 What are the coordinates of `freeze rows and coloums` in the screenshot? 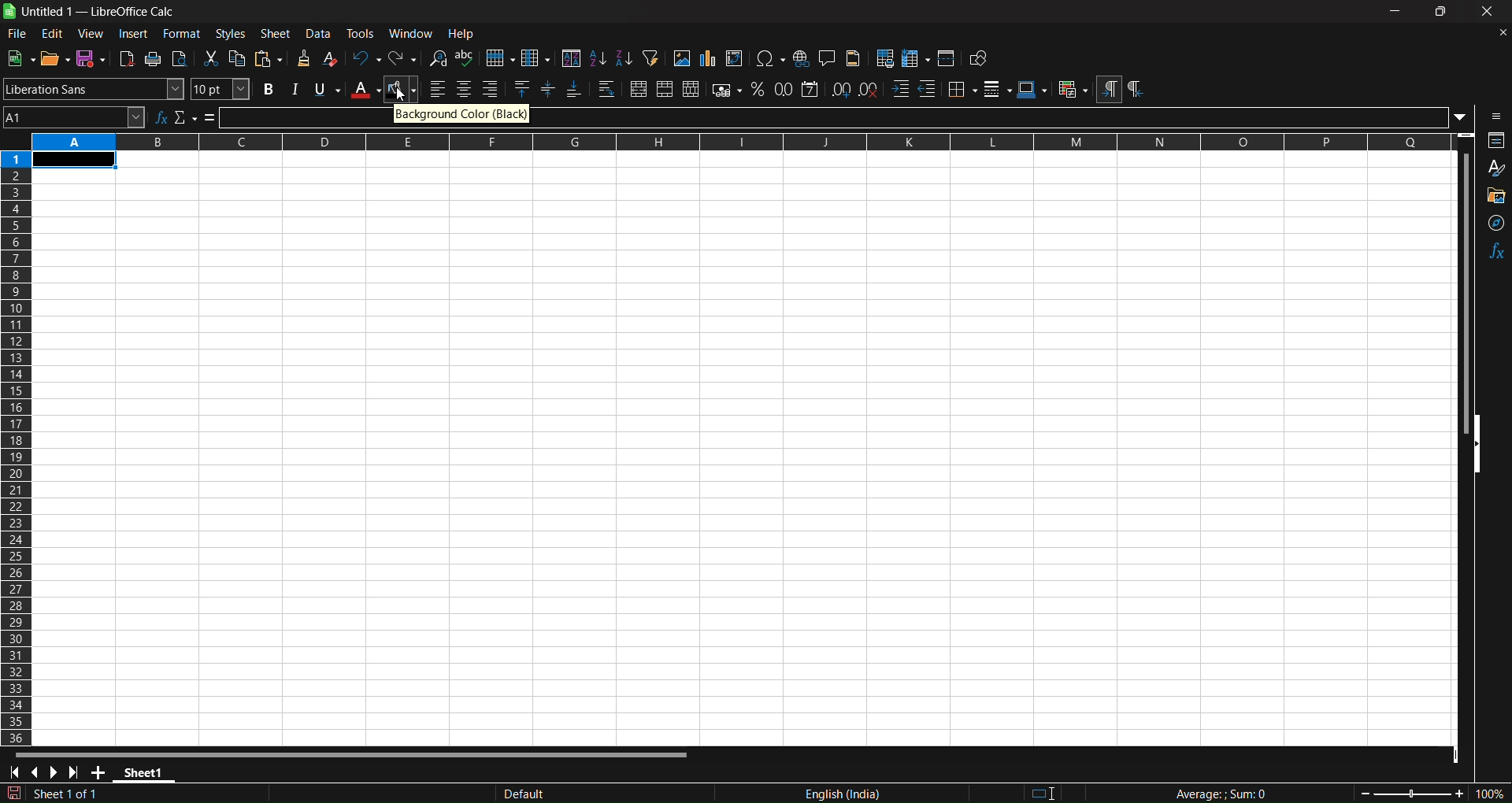 It's located at (916, 58).